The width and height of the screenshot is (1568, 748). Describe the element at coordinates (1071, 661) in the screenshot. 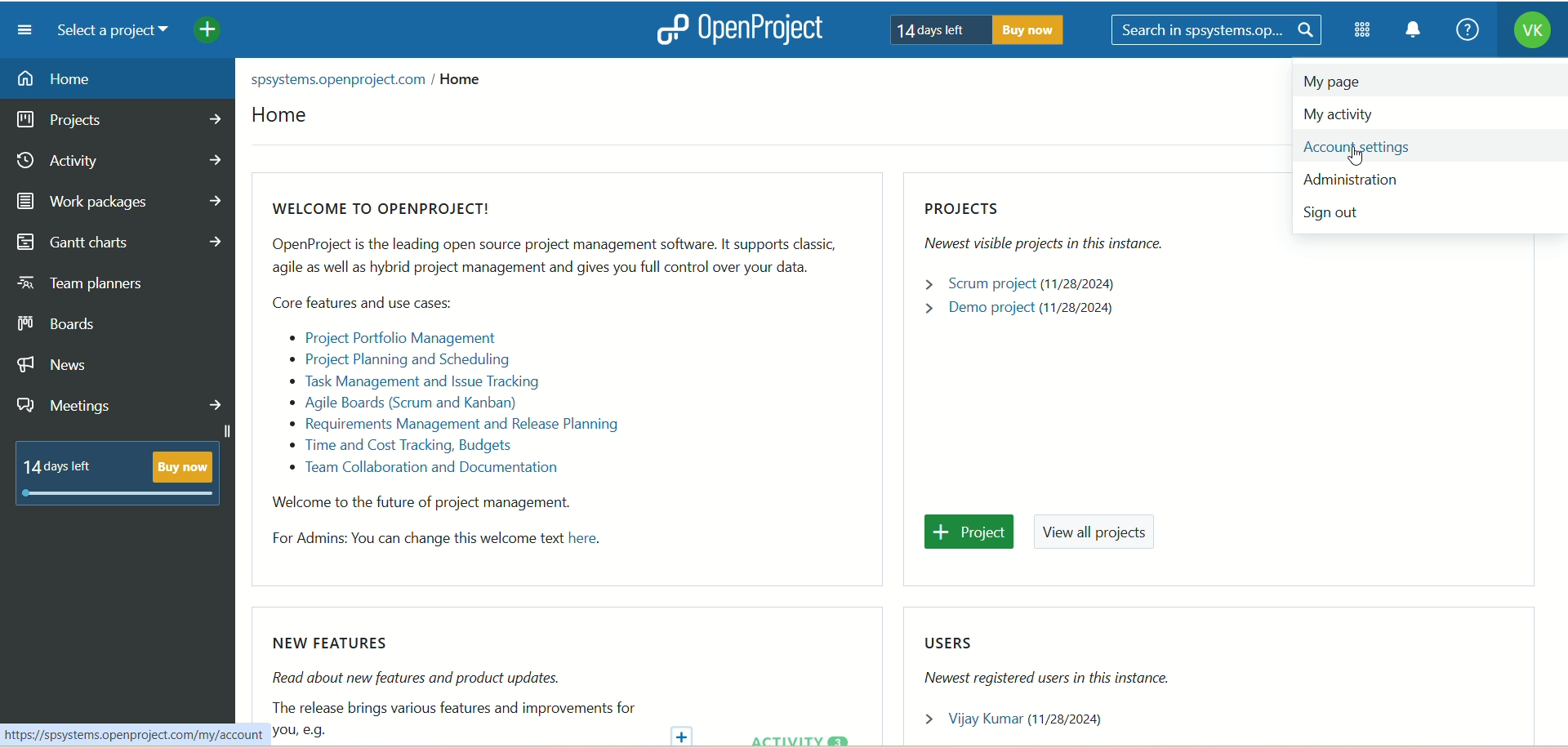

I see `text` at that location.